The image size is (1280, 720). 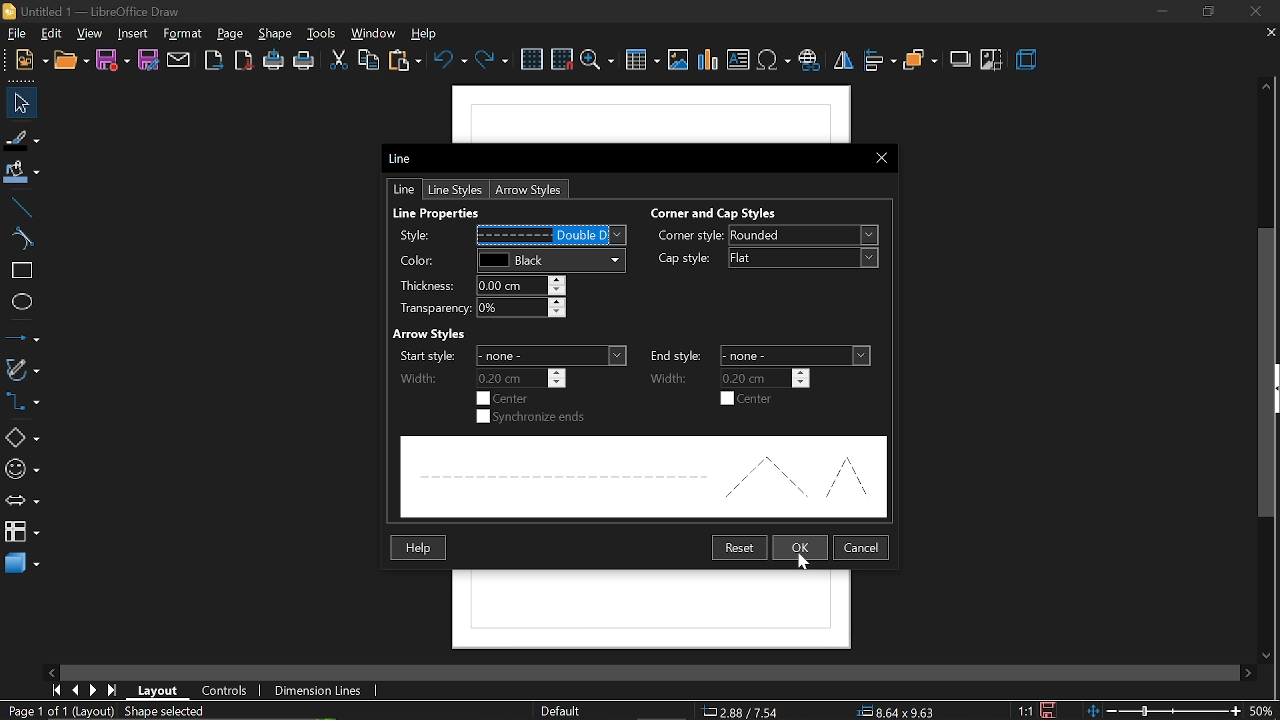 What do you see at coordinates (760, 354) in the screenshot?
I see `end style` at bounding box center [760, 354].